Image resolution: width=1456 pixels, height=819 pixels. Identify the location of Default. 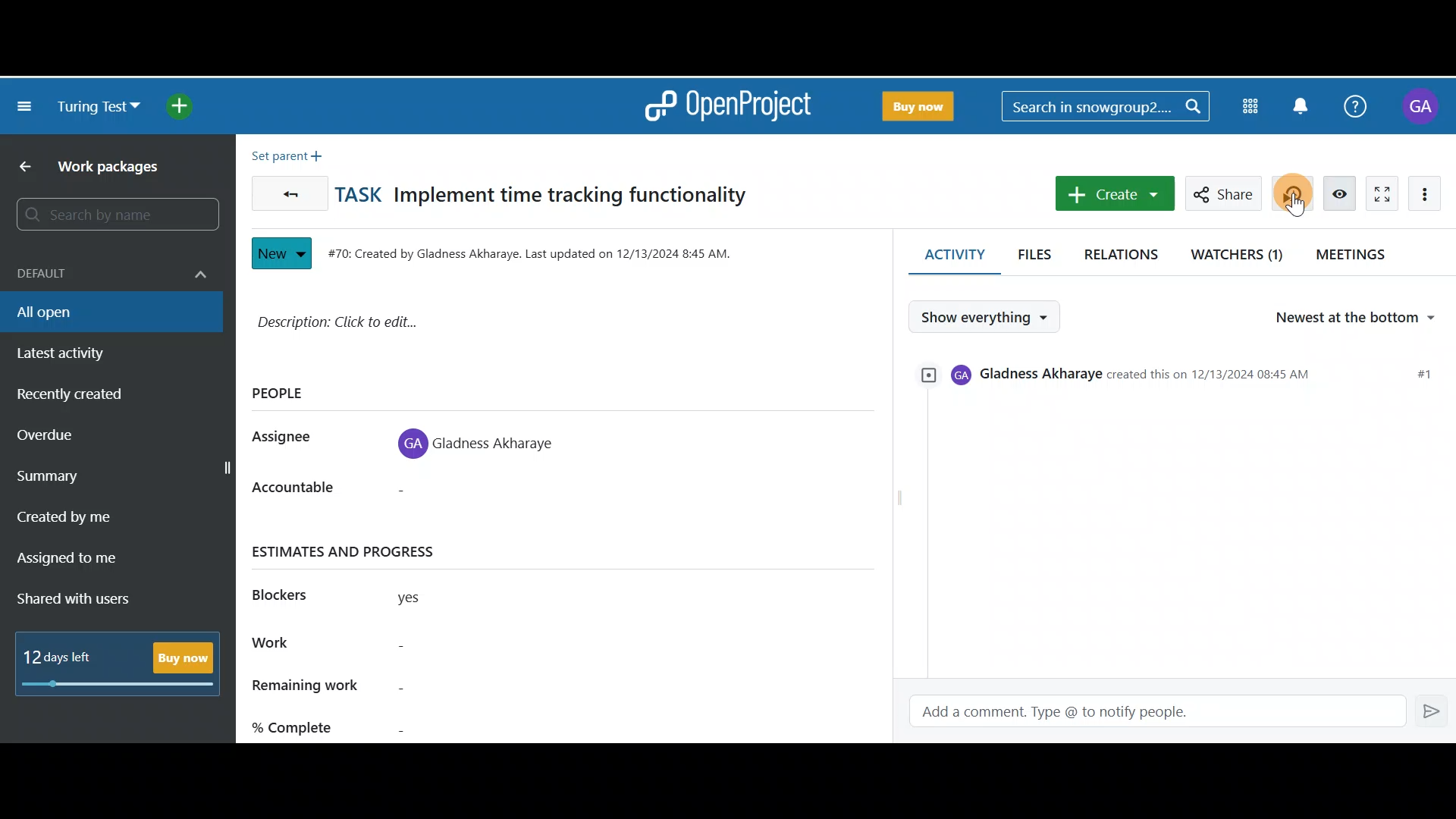
(108, 265).